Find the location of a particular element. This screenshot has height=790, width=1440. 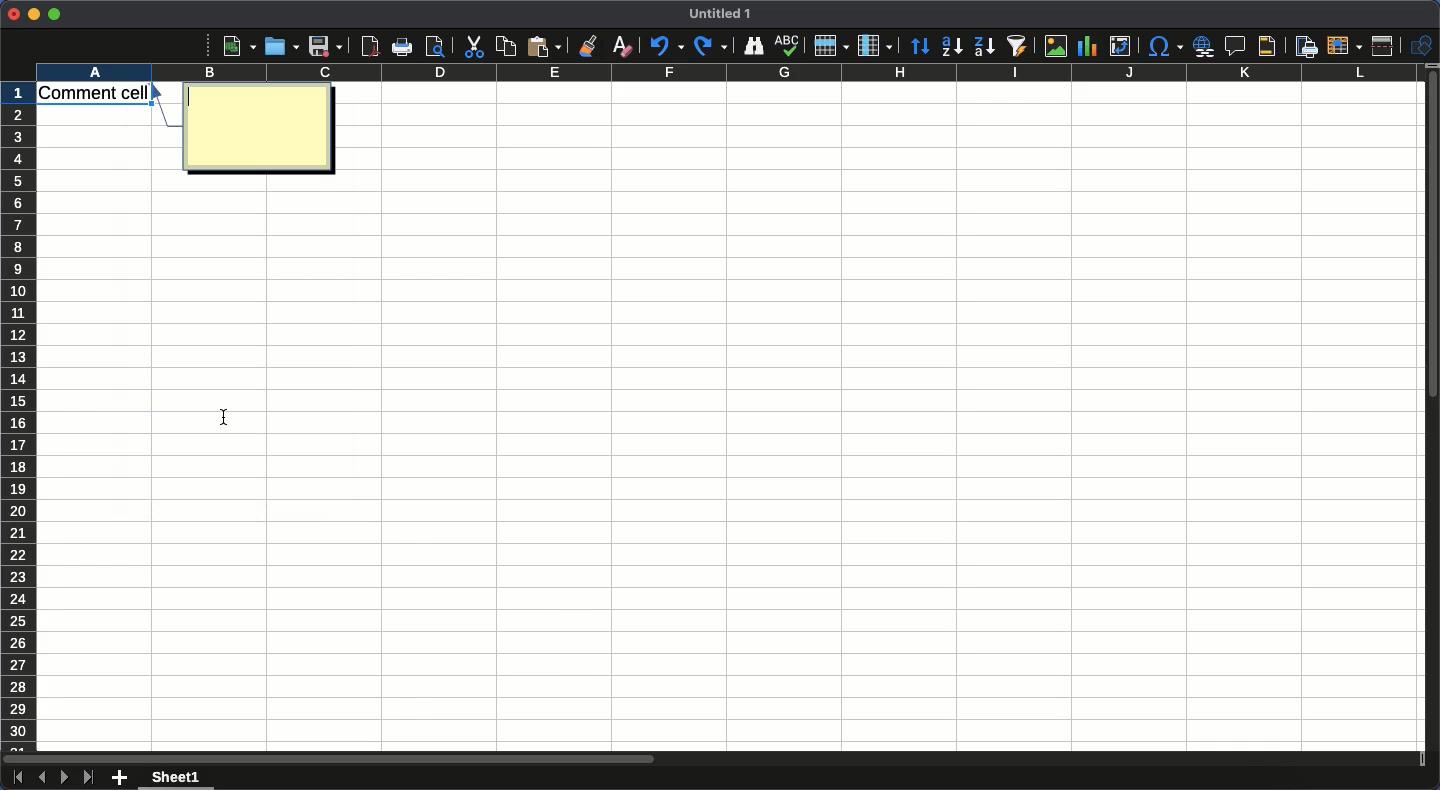

Freeze rows and columns is located at coordinates (1344, 45).